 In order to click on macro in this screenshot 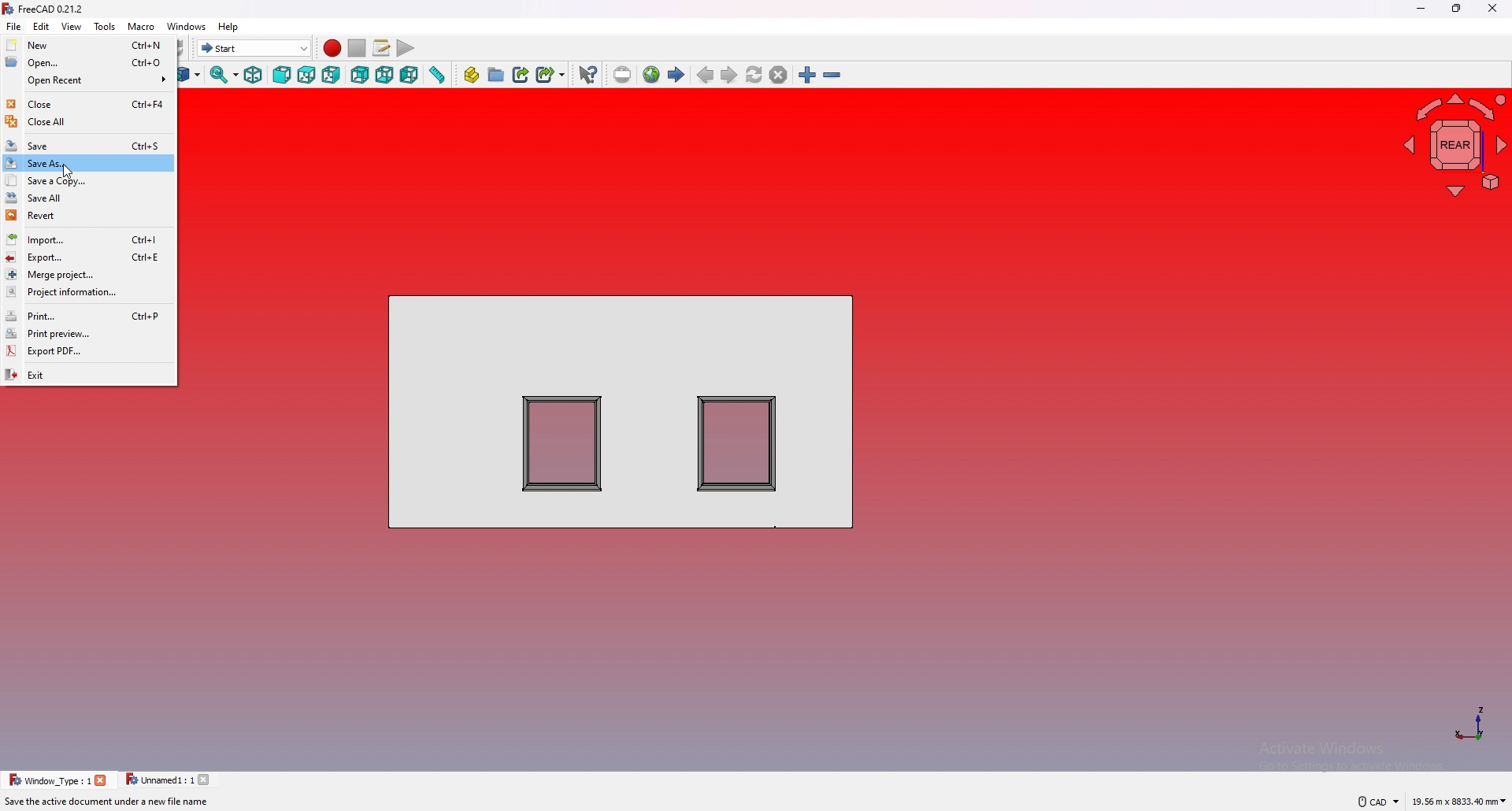, I will do `click(141, 26)`.